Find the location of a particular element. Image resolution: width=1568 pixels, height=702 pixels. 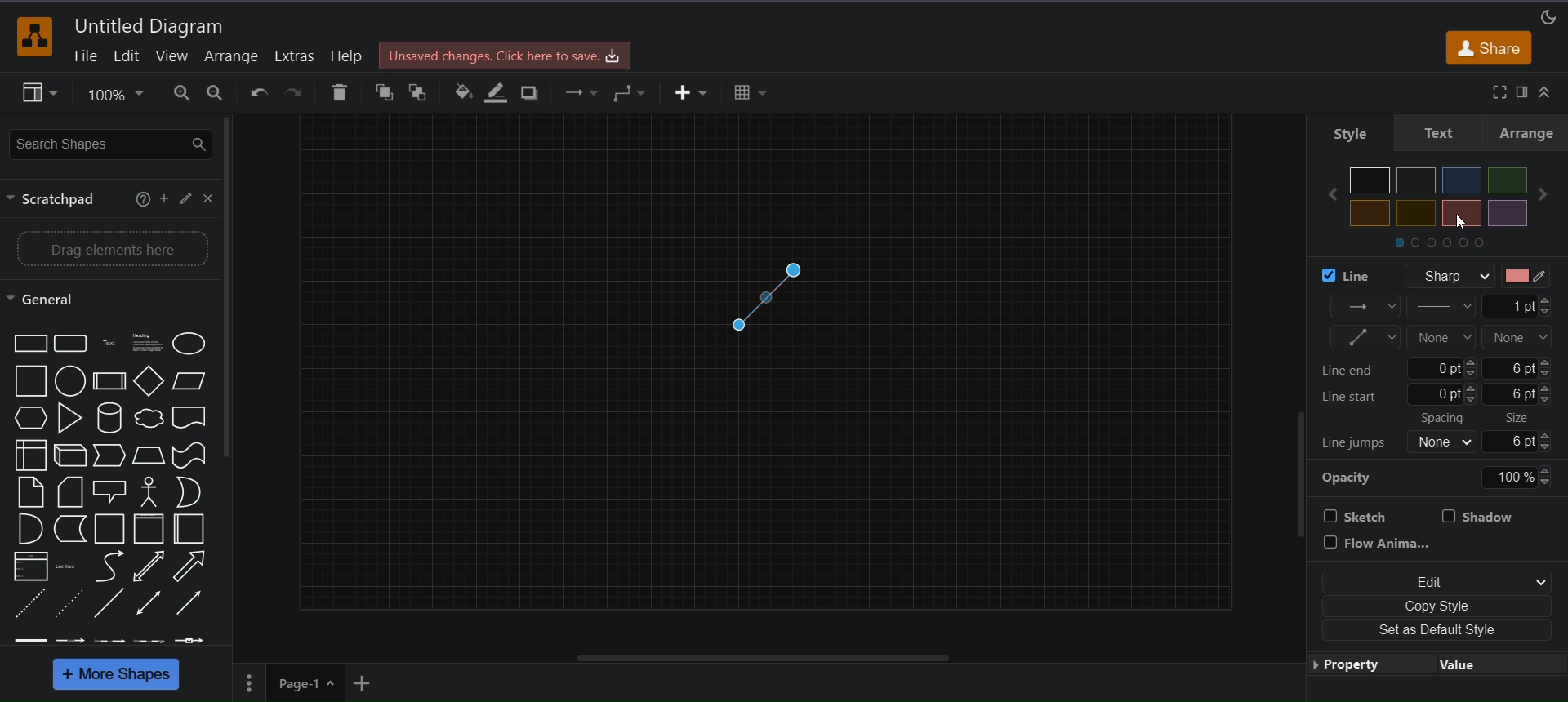

undo is located at coordinates (258, 92).